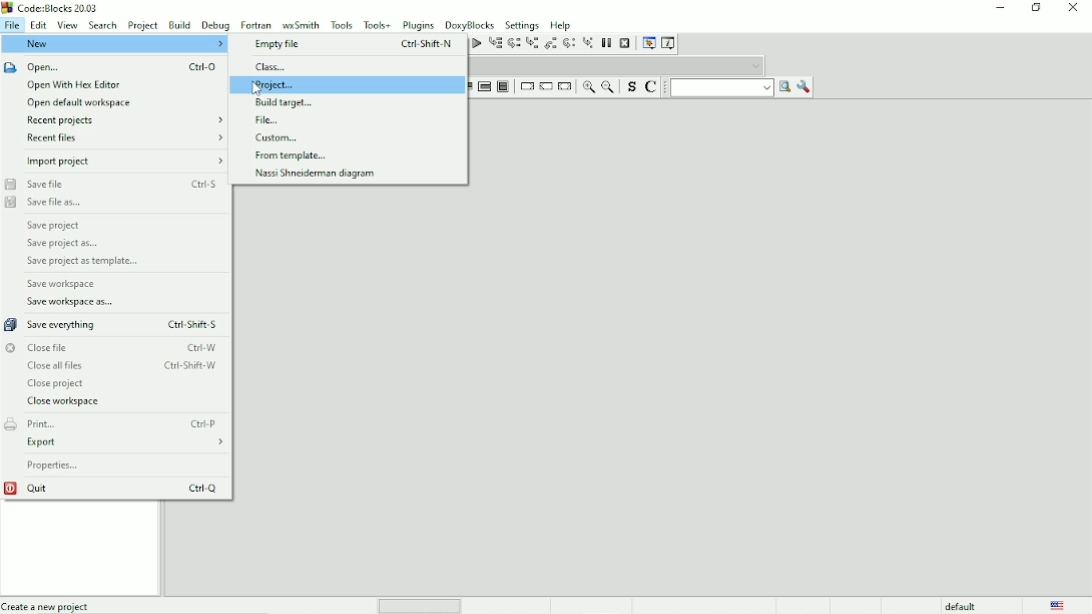 Image resolution: width=1092 pixels, height=614 pixels. Describe the element at coordinates (127, 121) in the screenshot. I see `Recent projects` at that location.